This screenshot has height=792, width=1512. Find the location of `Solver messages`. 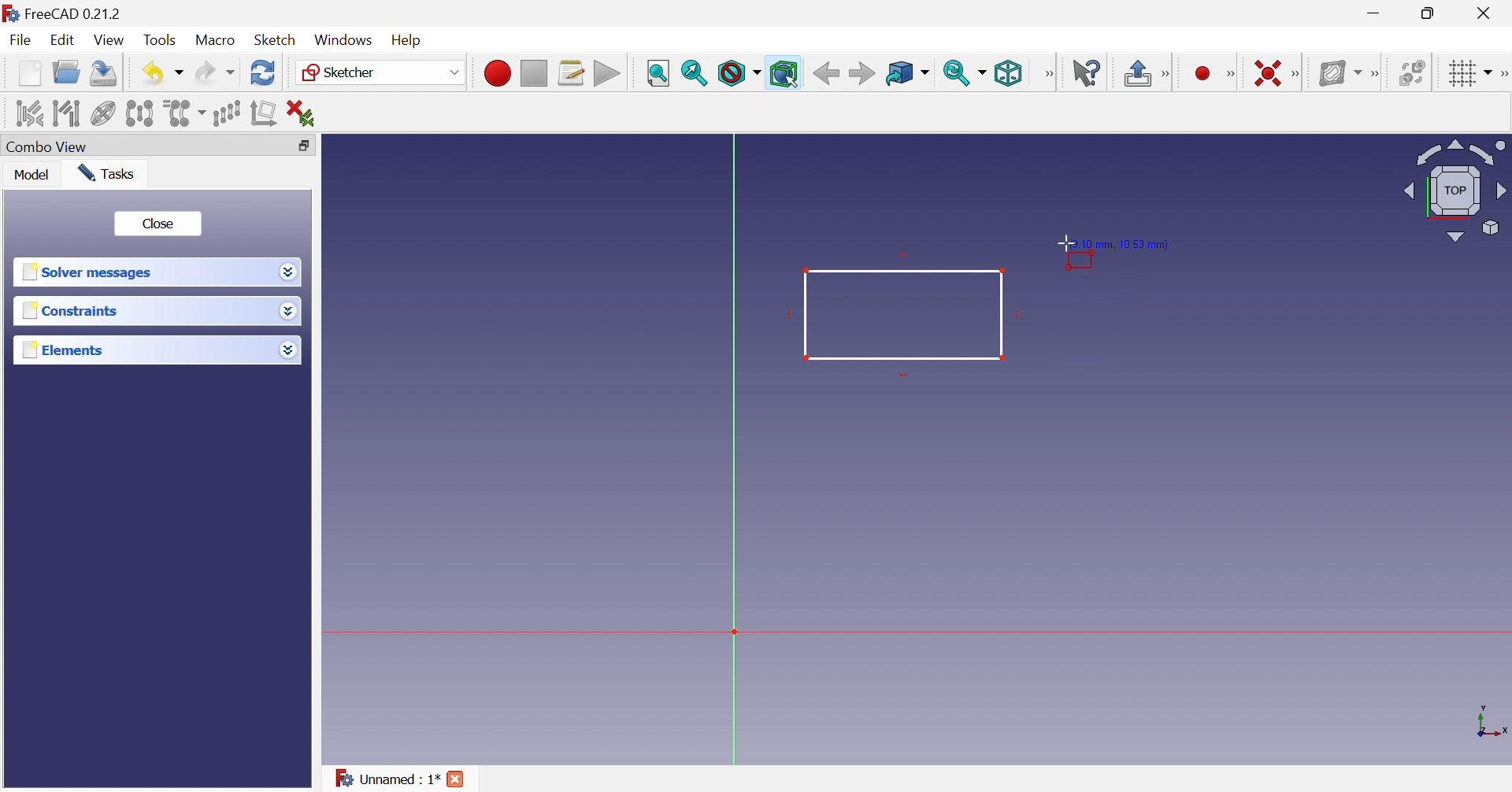

Solver messages is located at coordinates (86, 271).